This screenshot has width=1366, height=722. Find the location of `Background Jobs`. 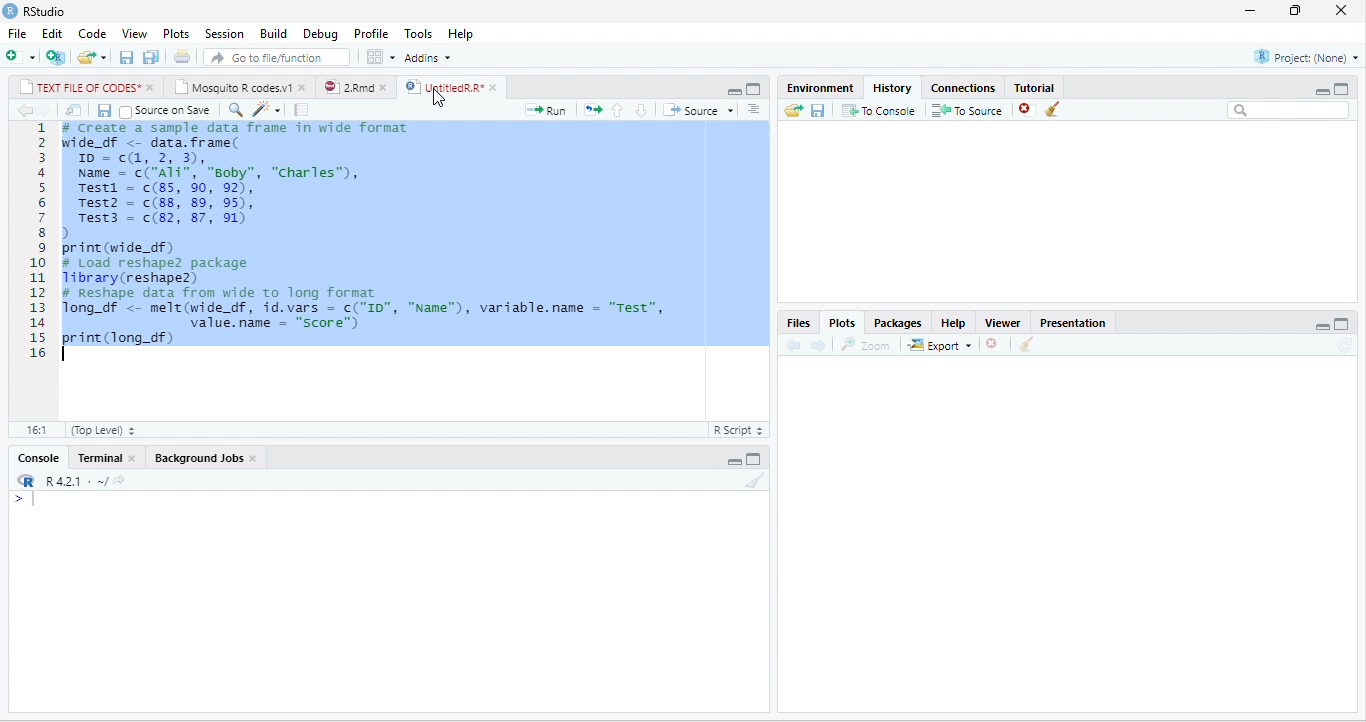

Background Jobs is located at coordinates (197, 457).